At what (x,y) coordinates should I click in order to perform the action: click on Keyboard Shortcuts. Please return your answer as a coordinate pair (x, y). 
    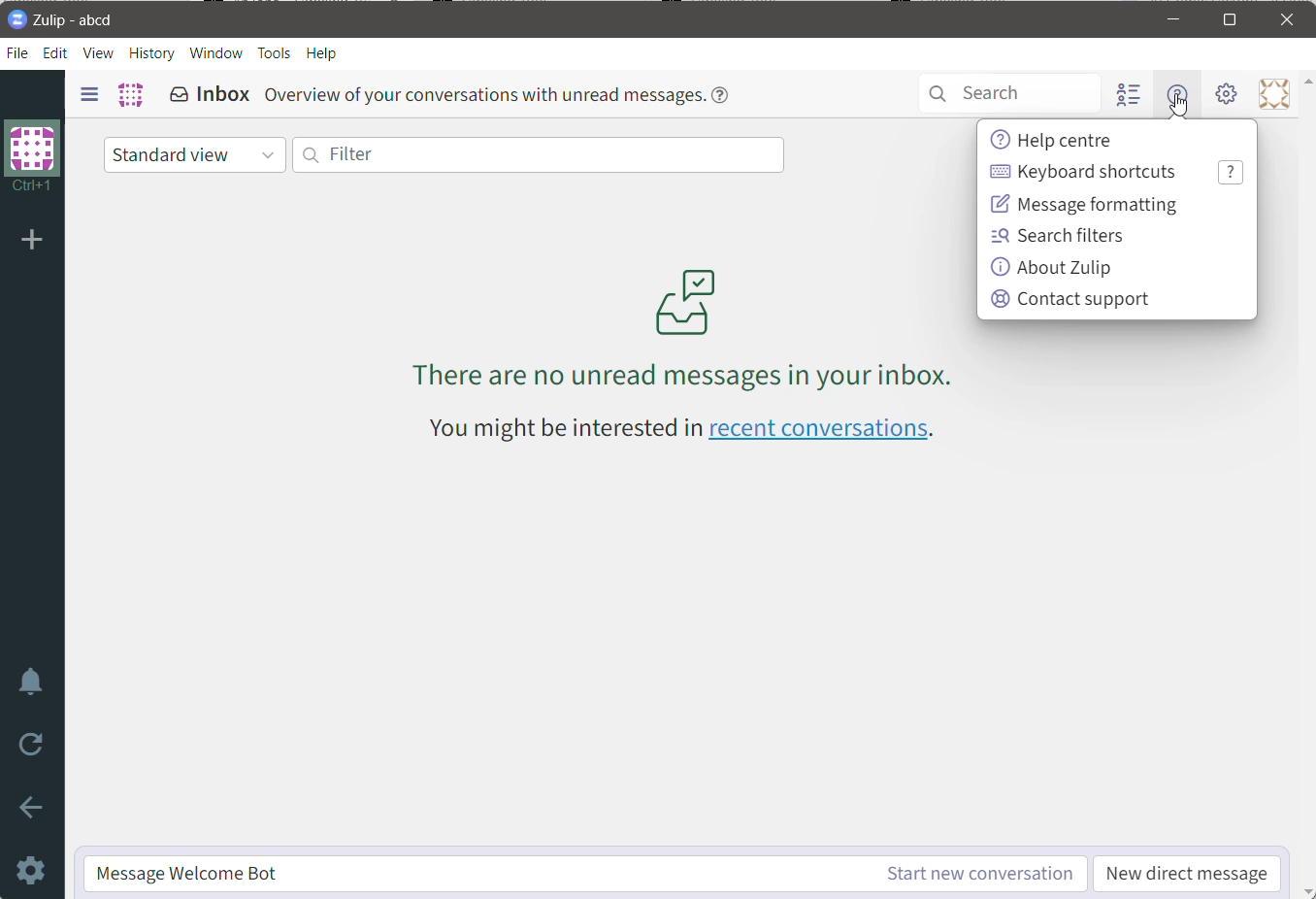
    Looking at the image, I should click on (1117, 172).